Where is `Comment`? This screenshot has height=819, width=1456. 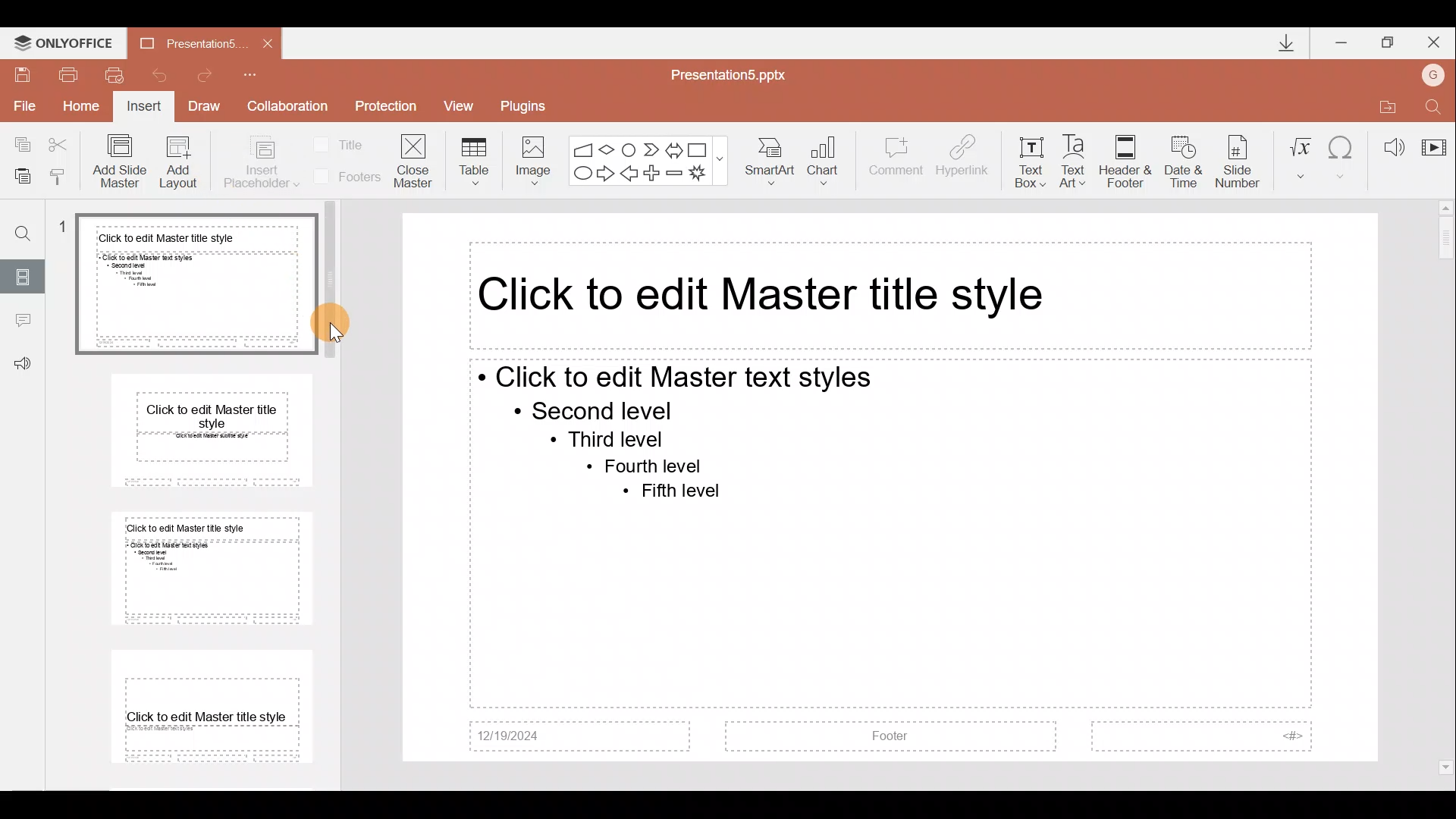 Comment is located at coordinates (896, 163).